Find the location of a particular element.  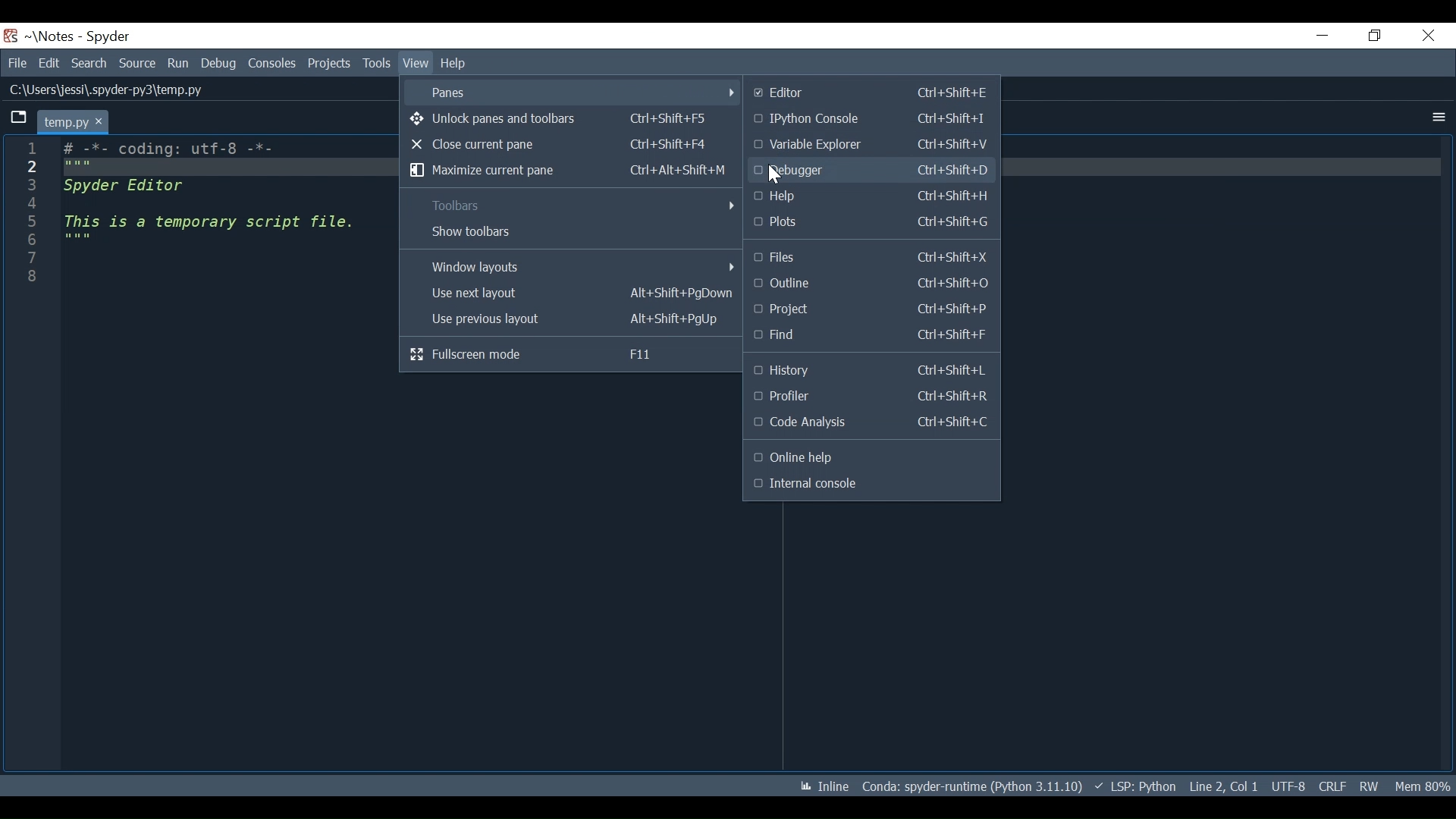

Editor is located at coordinates (873, 93).